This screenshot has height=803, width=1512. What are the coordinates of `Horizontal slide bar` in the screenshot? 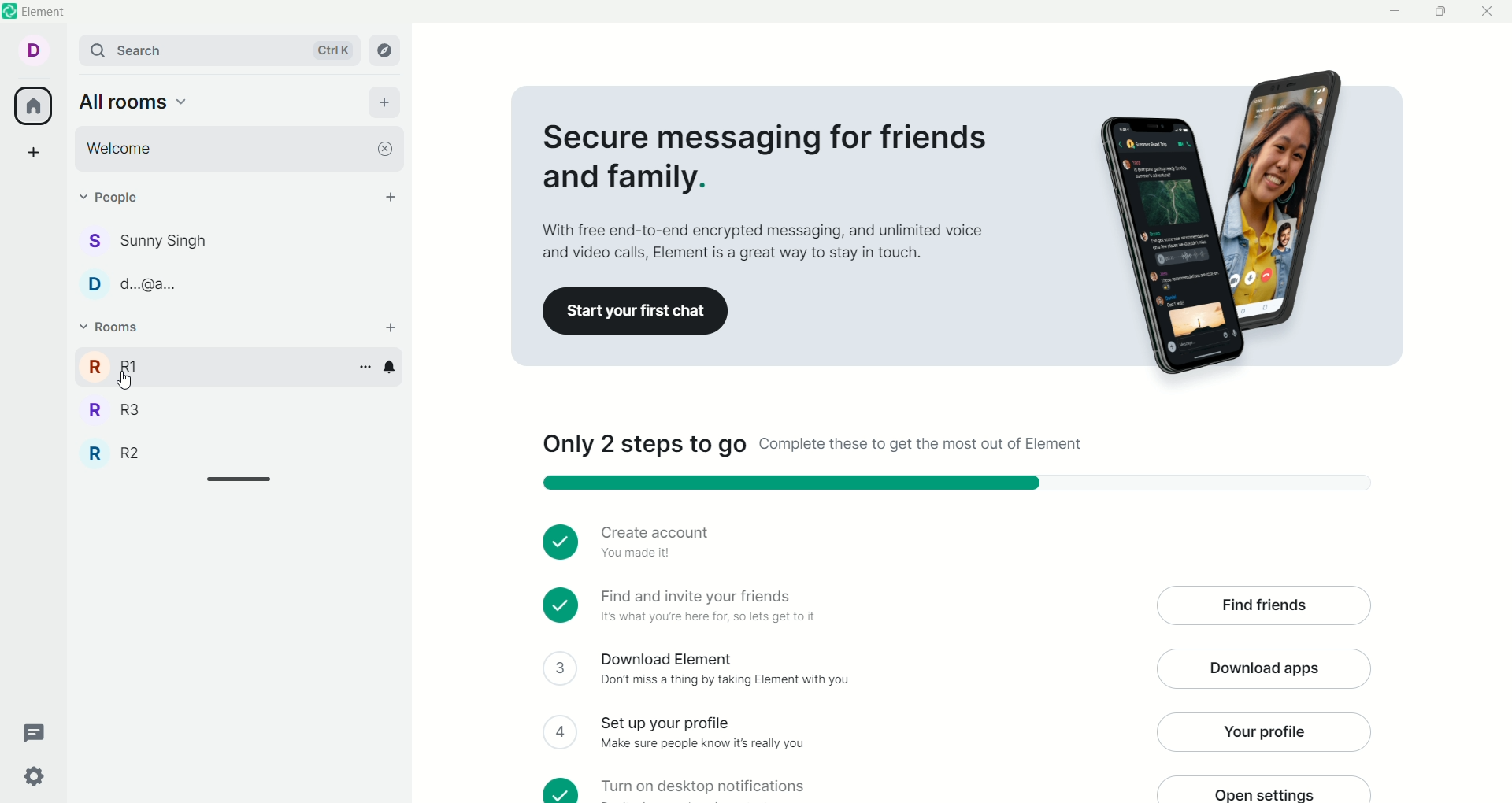 It's located at (239, 479).